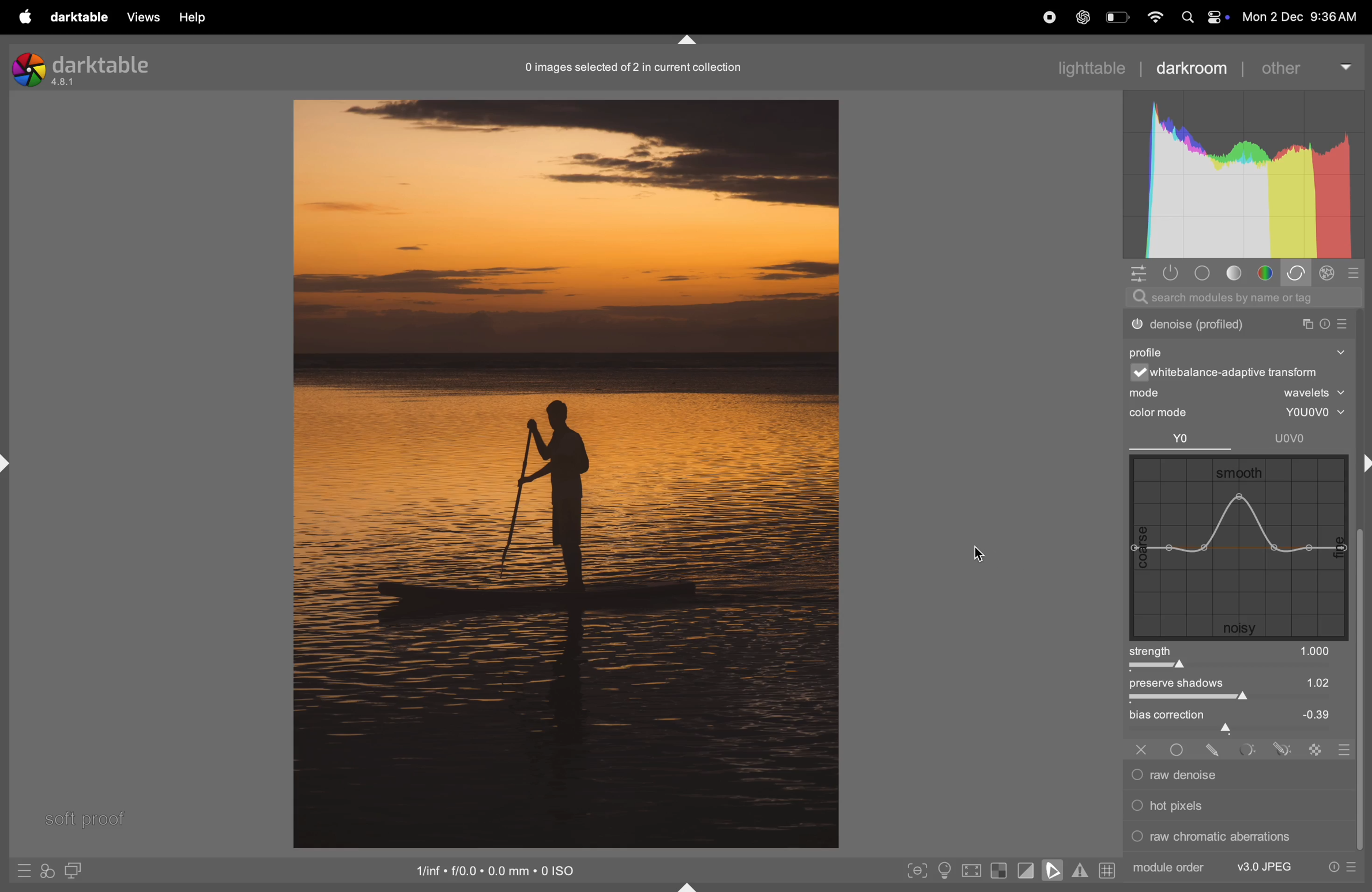 Image resolution: width=1372 pixels, height=892 pixels. Describe the element at coordinates (1245, 374) in the screenshot. I see `white balance transform` at that location.